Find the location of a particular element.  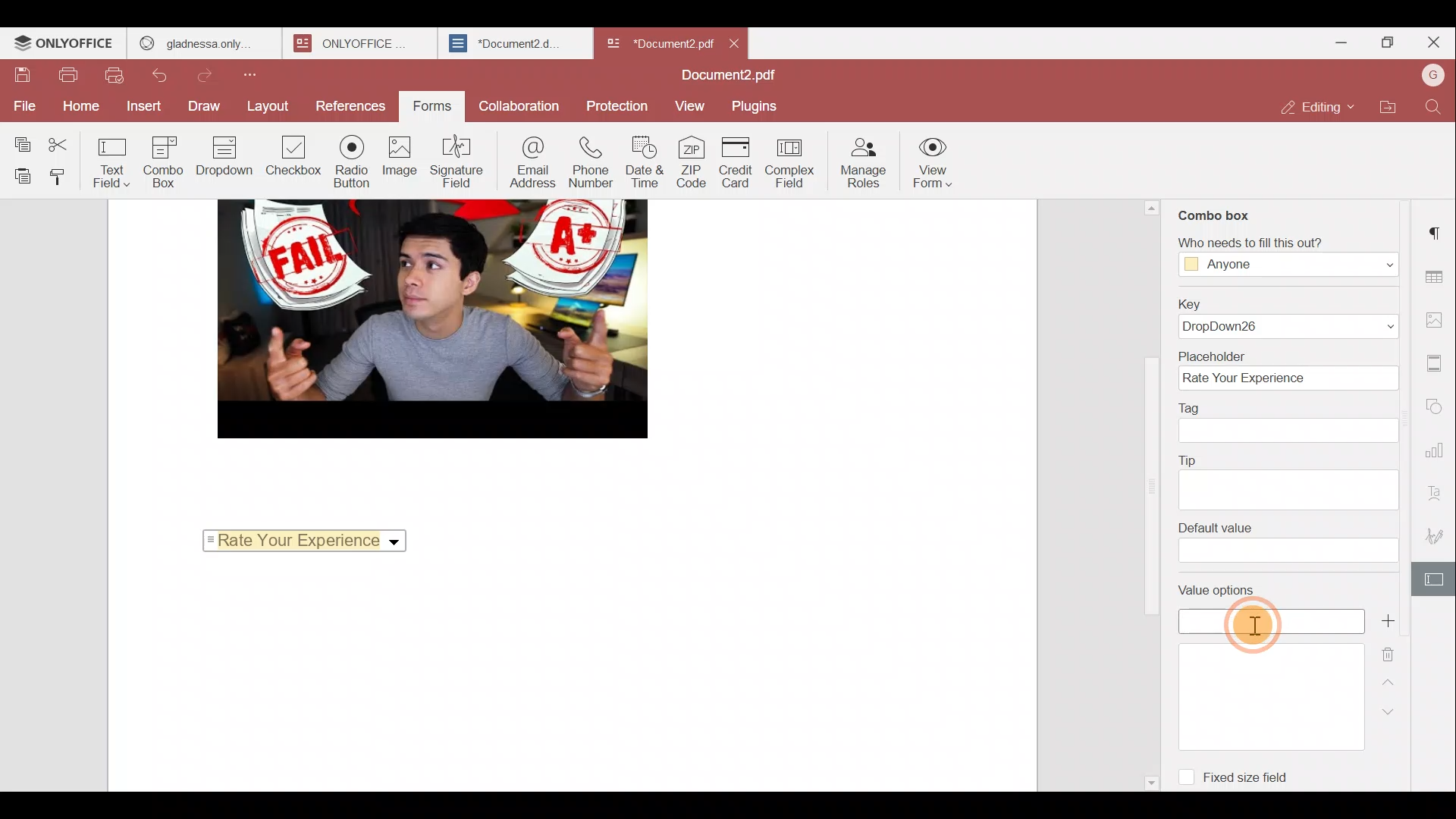

Close is located at coordinates (1433, 42).